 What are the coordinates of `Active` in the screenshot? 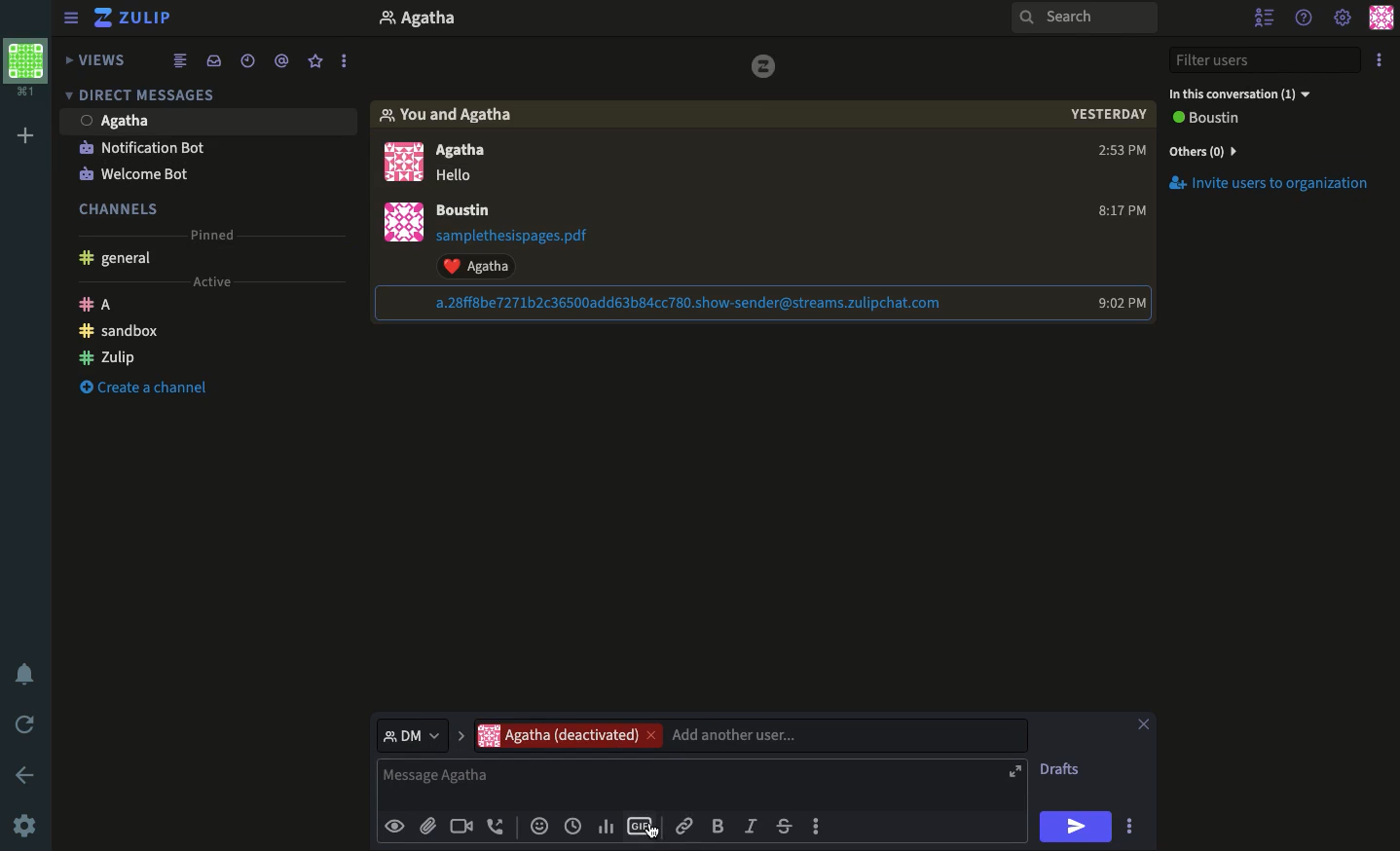 It's located at (221, 283).